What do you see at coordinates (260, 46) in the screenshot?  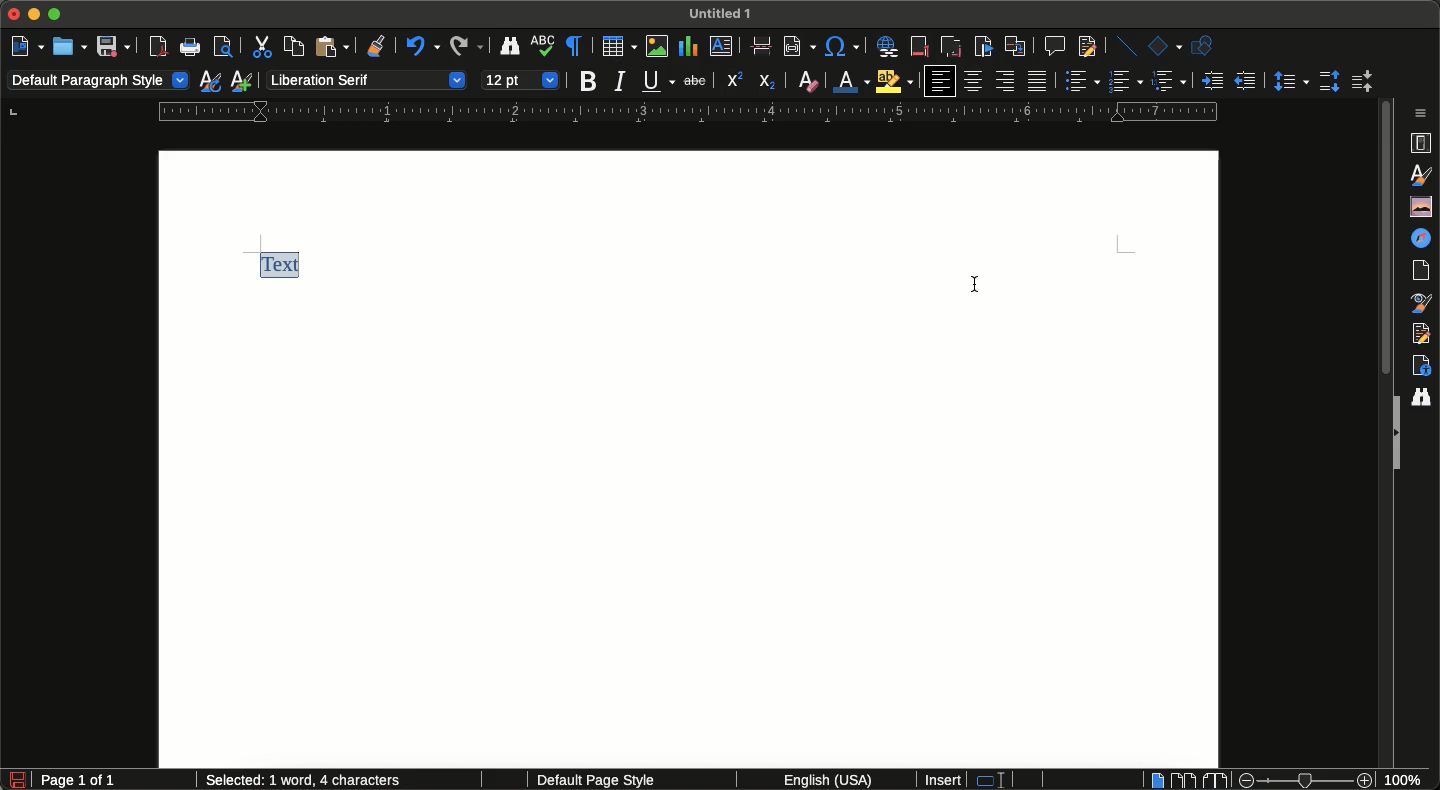 I see `Cut` at bounding box center [260, 46].